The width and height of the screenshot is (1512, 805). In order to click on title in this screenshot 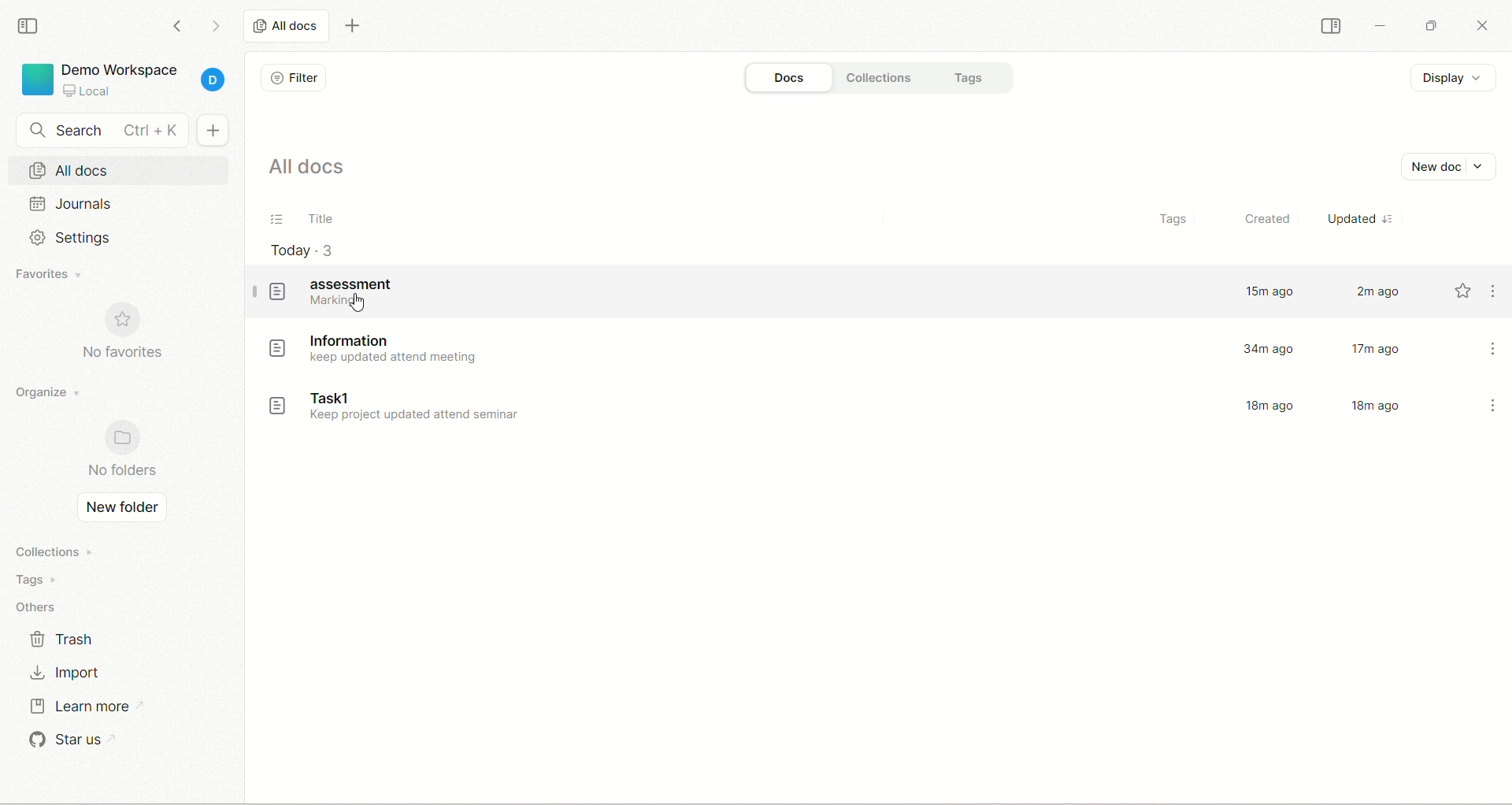, I will do `click(299, 221)`.